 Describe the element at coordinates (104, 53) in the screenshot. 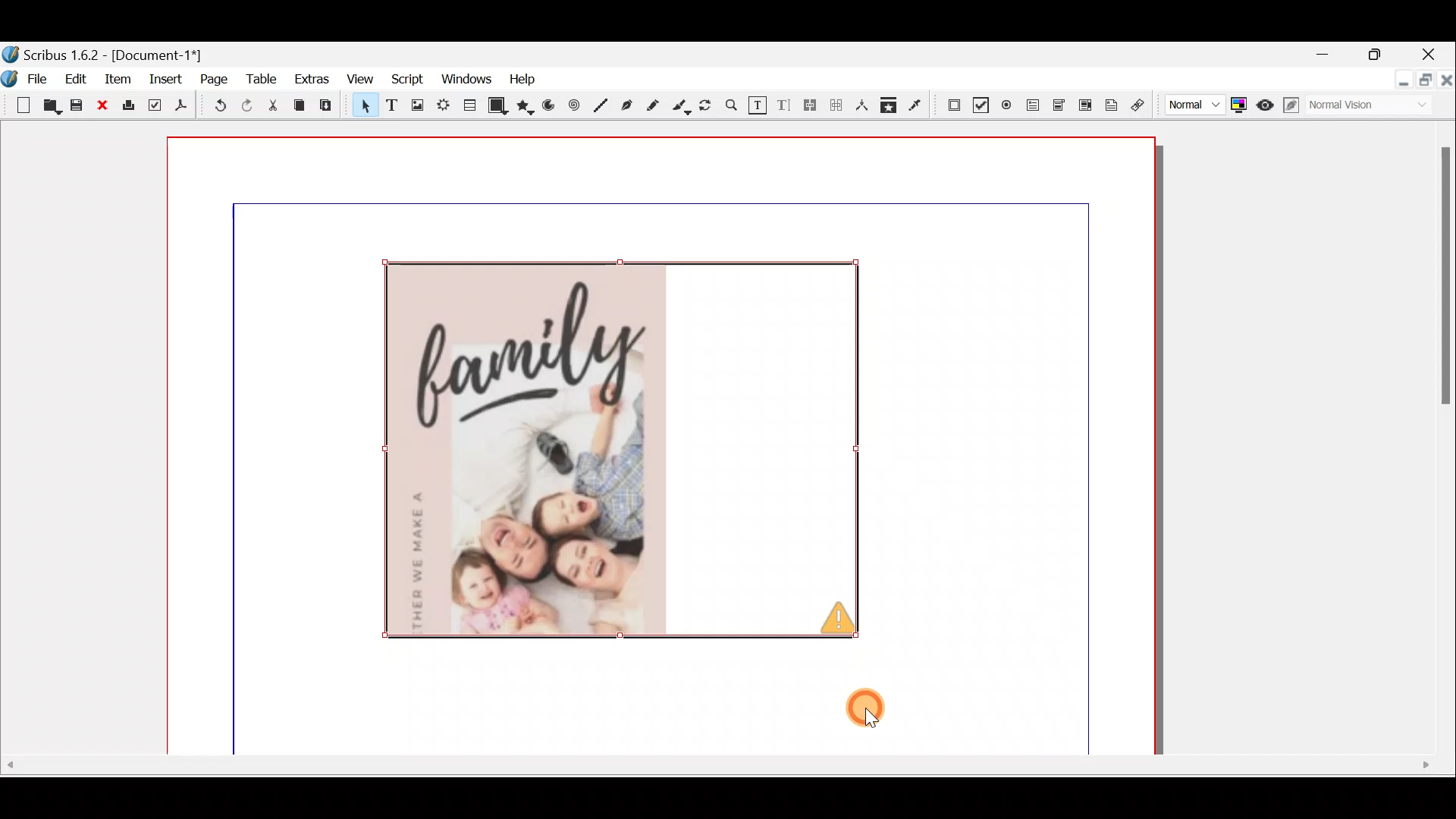

I see `Document name` at that location.